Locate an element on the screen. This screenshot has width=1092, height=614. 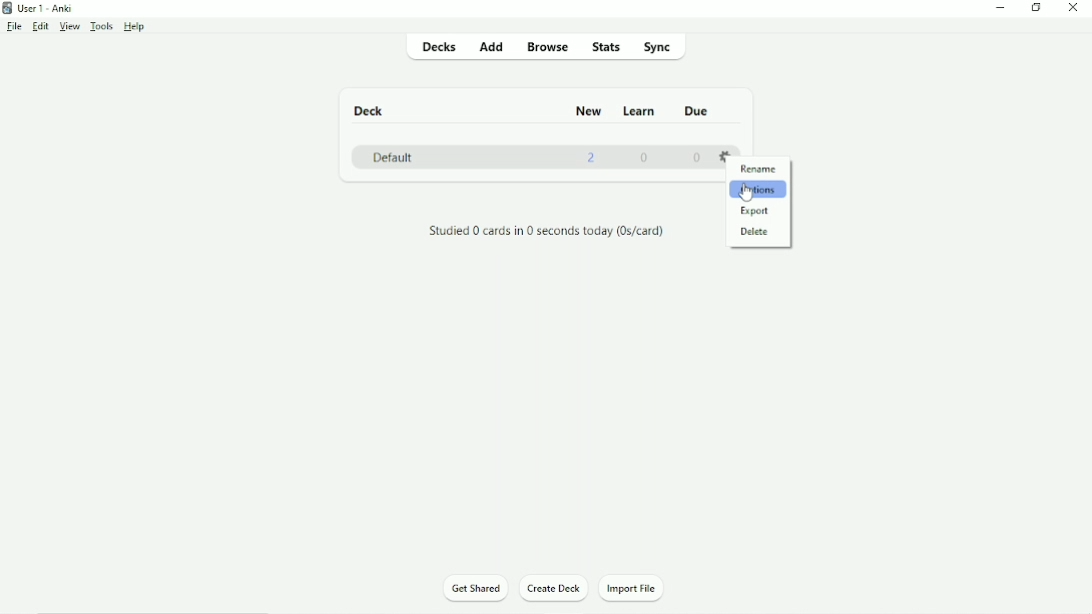
Stats is located at coordinates (605, 47).